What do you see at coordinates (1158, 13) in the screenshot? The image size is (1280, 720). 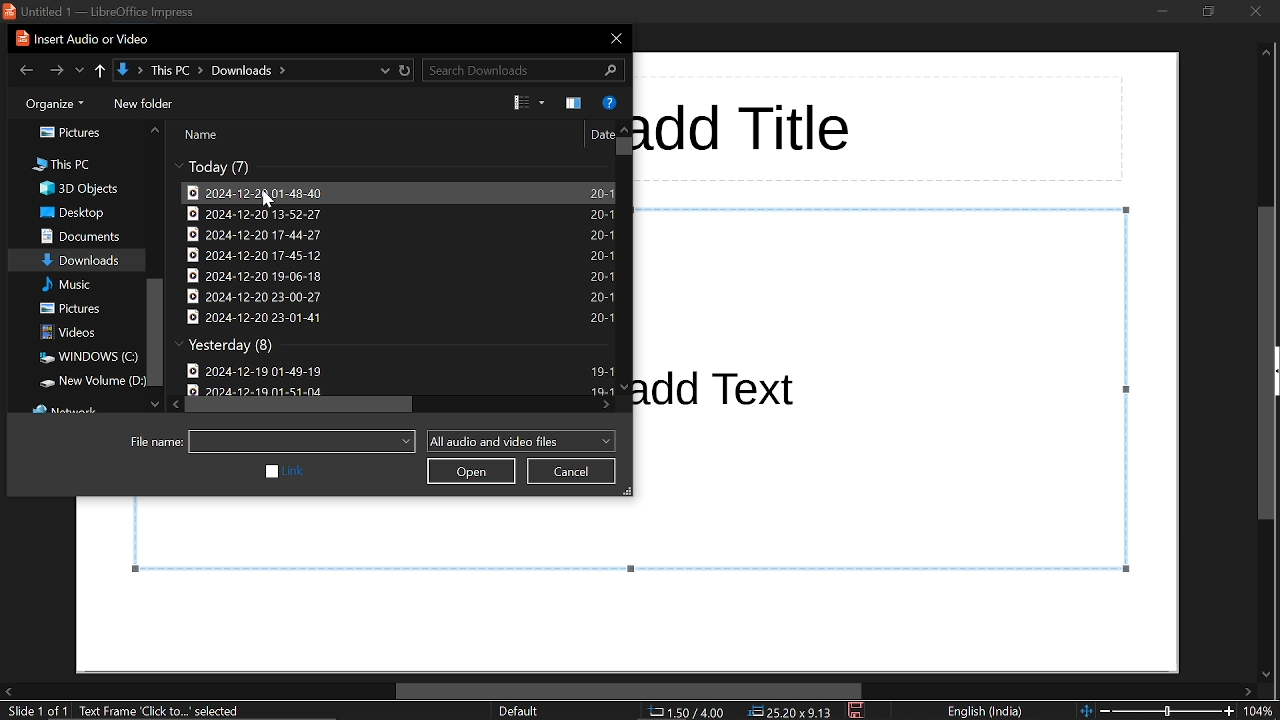 I see `minimize` at bounding box center [1158, 13].